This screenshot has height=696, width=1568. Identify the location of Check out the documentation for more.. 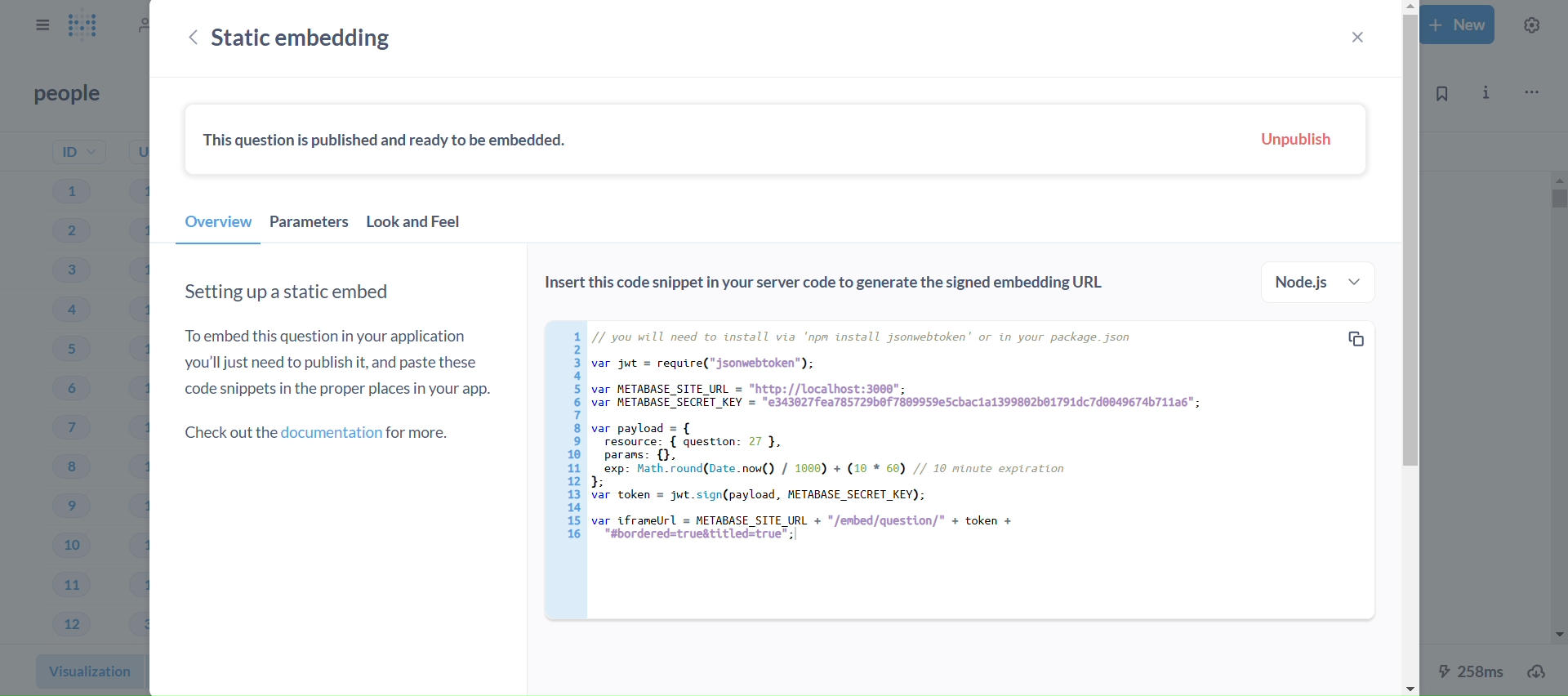
(323, 432).